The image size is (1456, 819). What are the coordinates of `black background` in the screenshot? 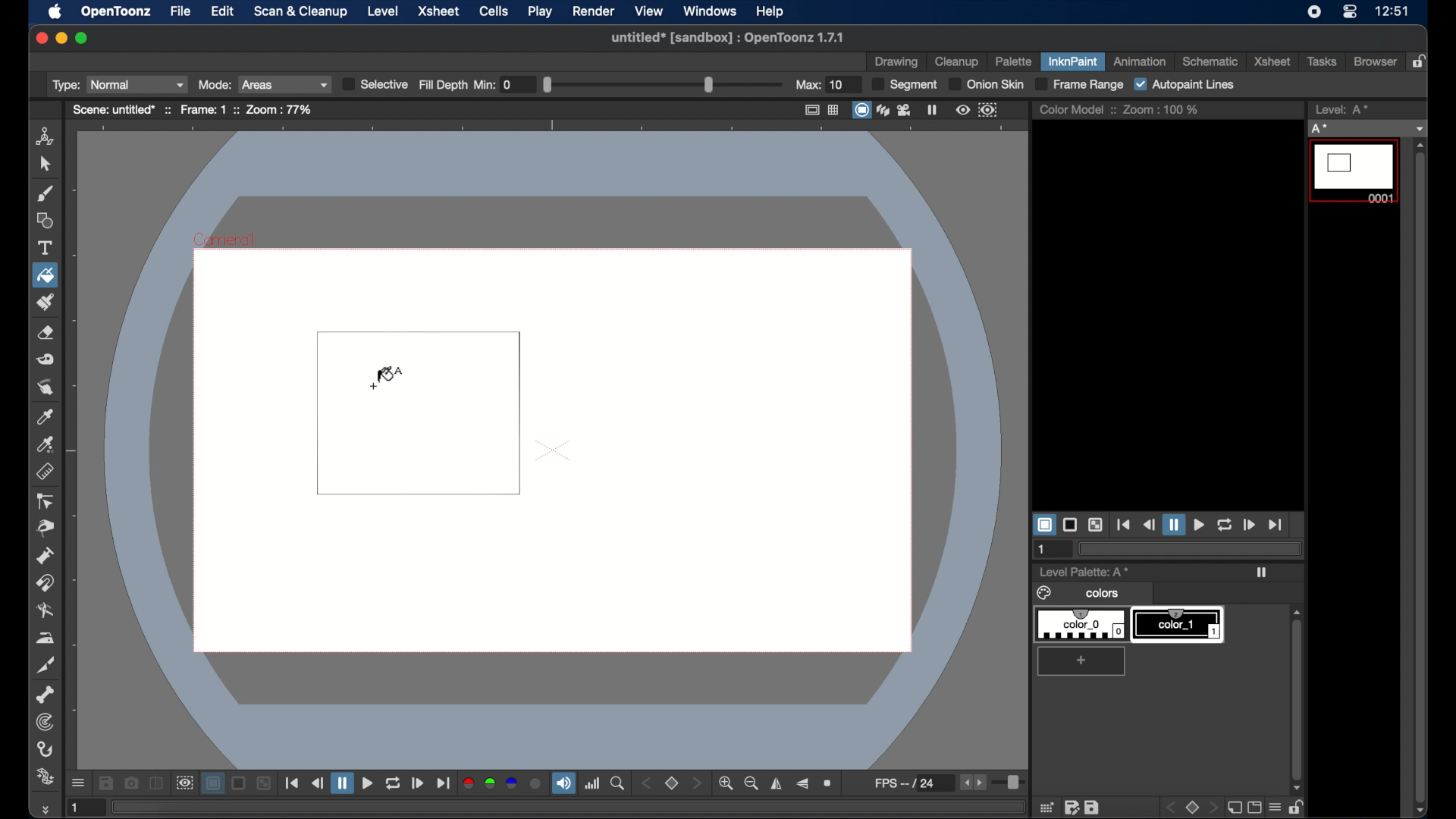 It's located at (240, 783).